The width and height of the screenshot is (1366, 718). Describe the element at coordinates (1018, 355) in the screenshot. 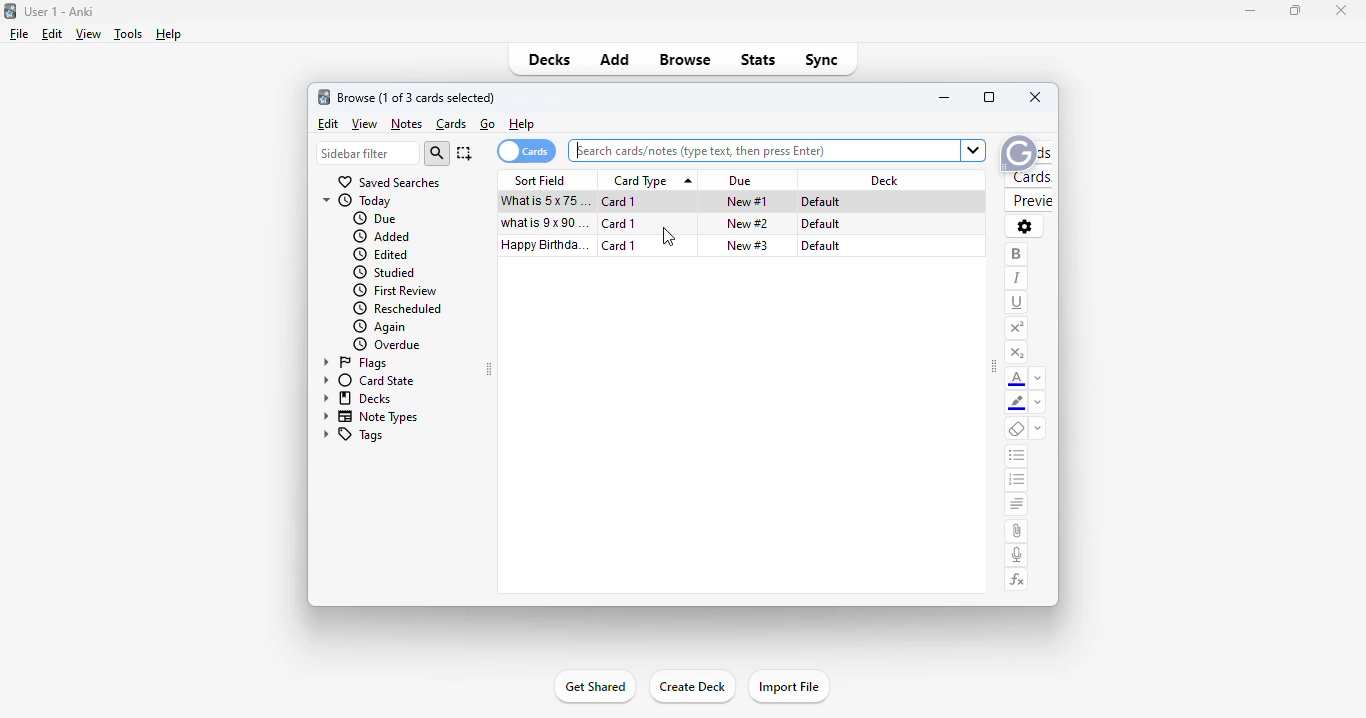

I see `subscript` at that location.